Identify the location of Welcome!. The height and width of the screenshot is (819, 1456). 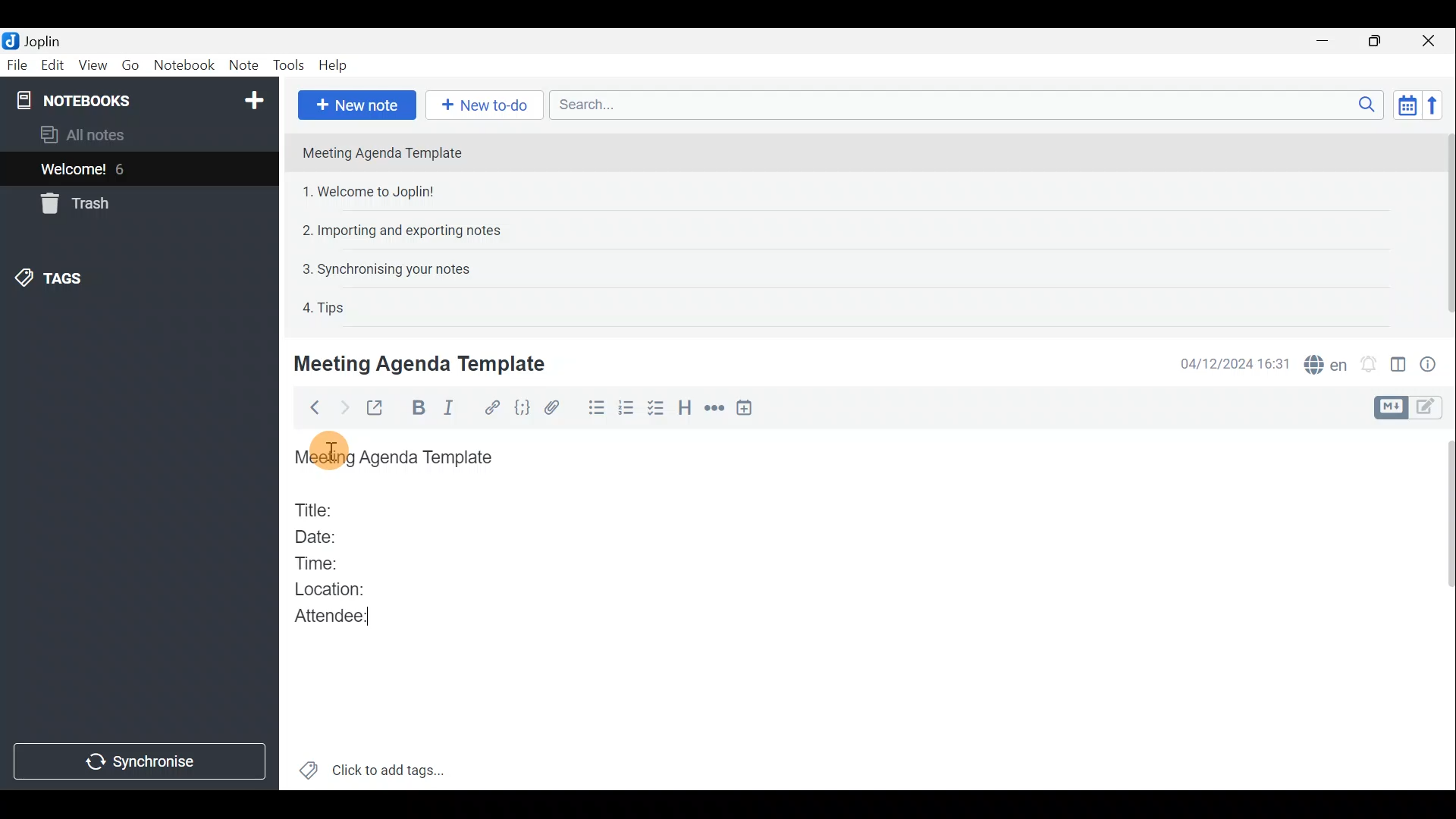
(74, 171).